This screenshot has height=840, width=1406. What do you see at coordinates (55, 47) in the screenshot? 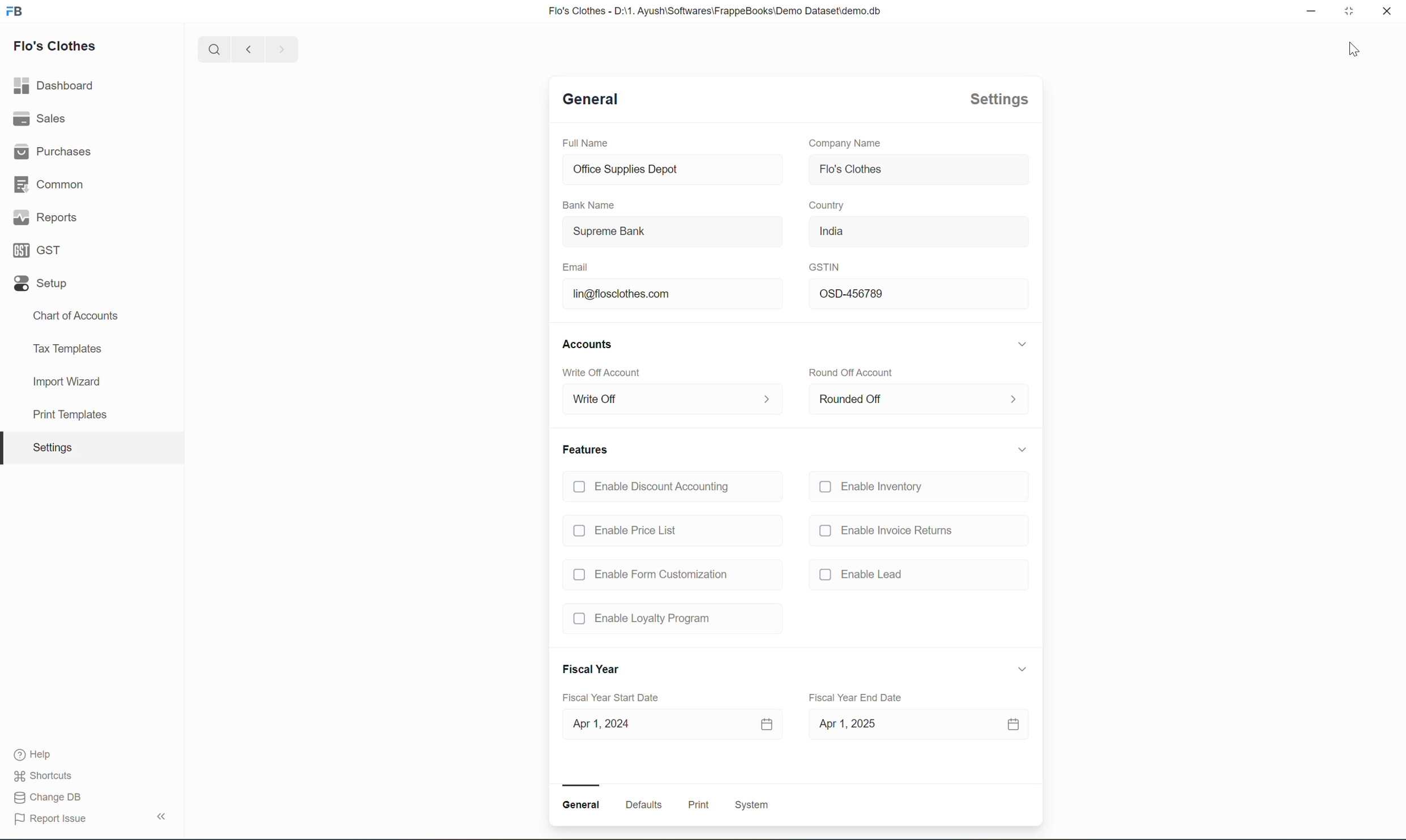
I see `Flo's Clothes` at bounding box center [55, 47].